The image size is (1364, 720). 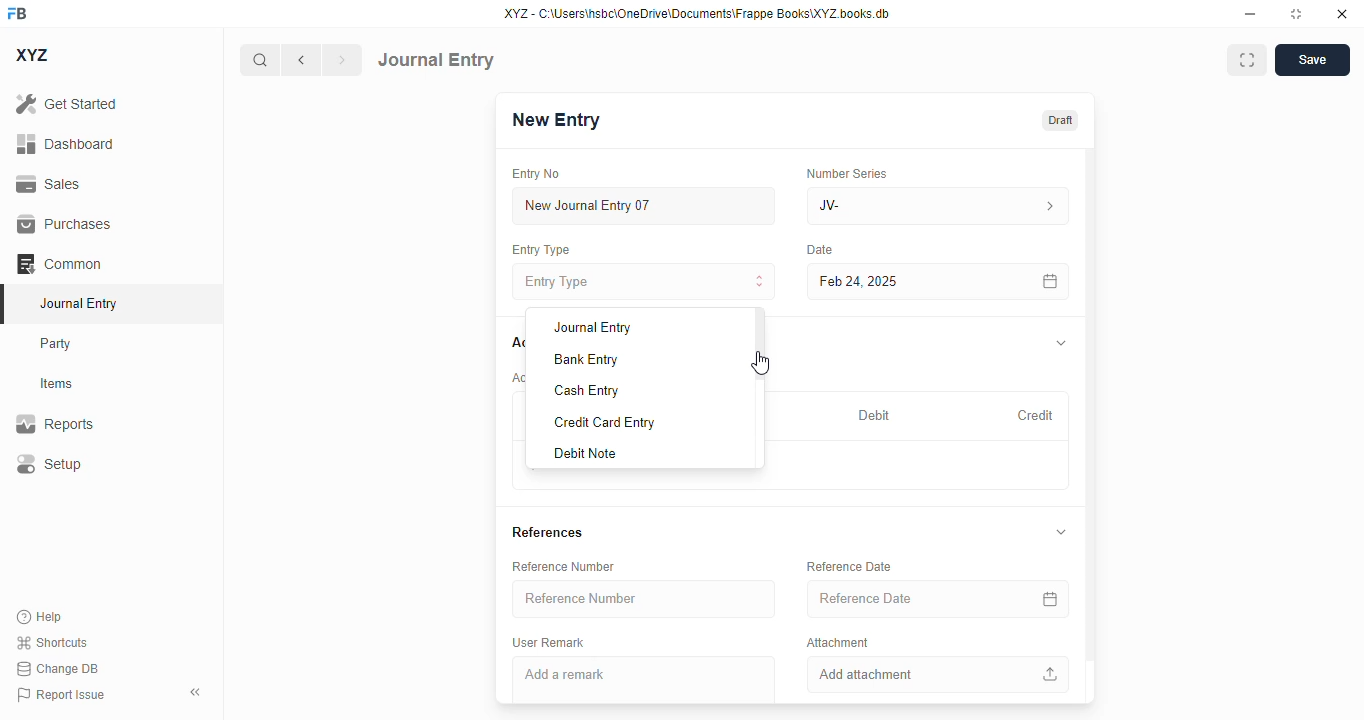 I want to click on cursor, so click(x=761, y=363).